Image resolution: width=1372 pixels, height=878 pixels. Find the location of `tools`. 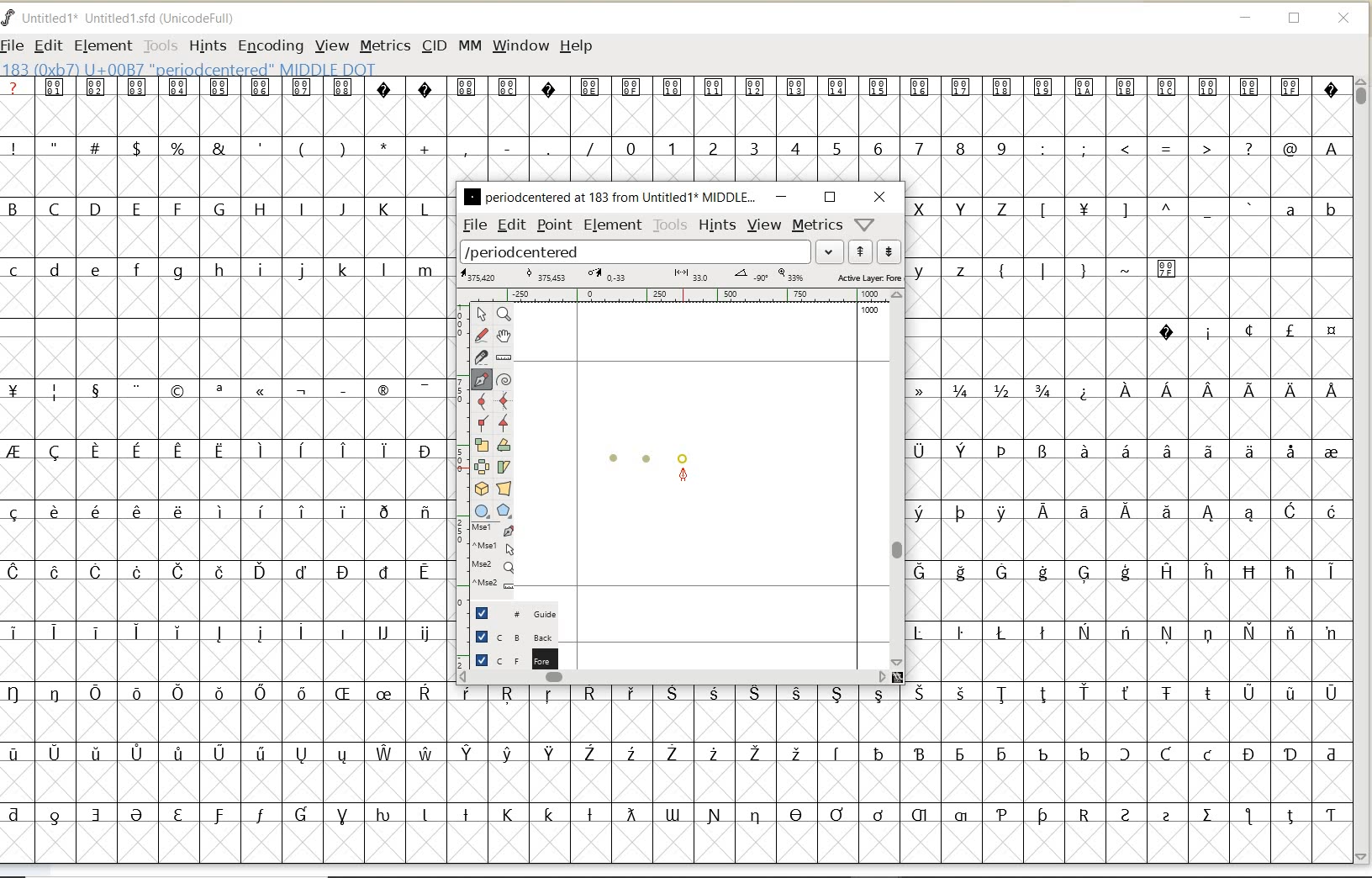

tools is located at coordinates (670, 225).